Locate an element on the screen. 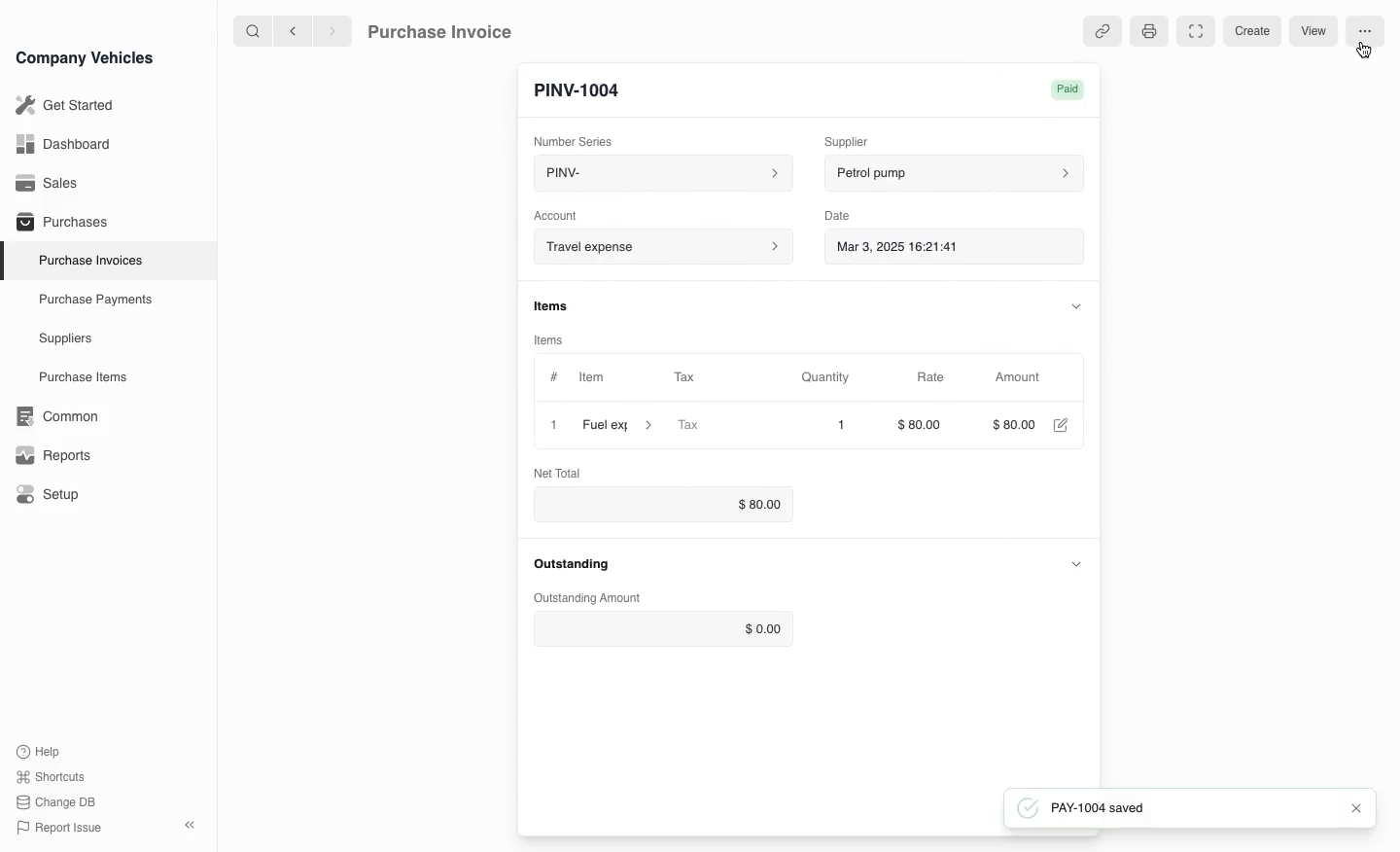 This screenshot has width=1400, height=852. $80.00 is located at coordinates (661, 626).